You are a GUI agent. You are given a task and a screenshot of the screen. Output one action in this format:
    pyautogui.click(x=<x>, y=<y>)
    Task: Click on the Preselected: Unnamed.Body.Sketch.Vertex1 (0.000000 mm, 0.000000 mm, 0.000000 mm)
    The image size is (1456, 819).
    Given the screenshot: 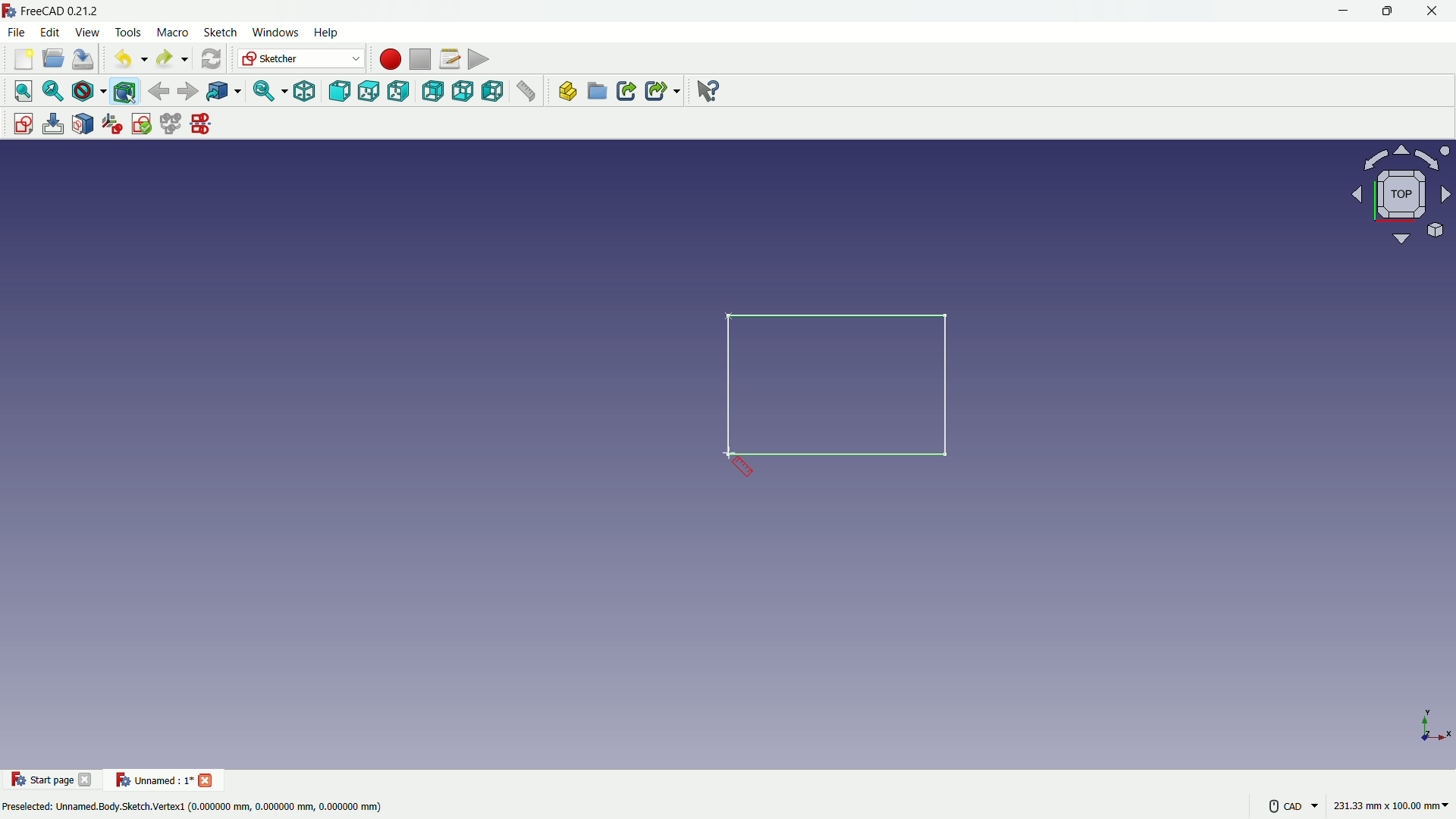 What is the action you would take?
    pyautogui.click(x=193, y=805)
    